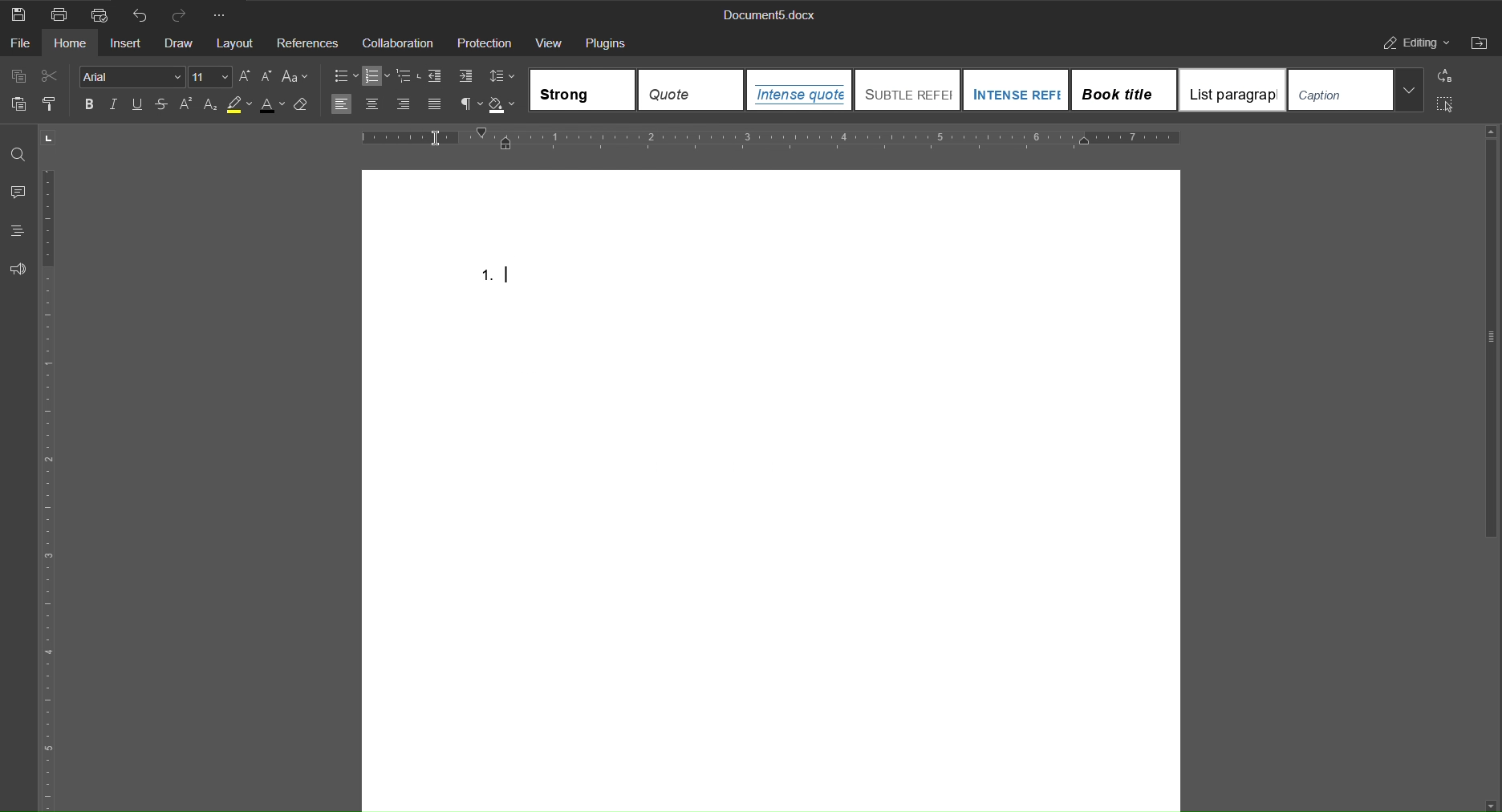 This screenshot has height=812, width=1502. What do you see at coordinates (486, 45) in the screenshot?
I see `Protection` at bounding box center [486, 45].